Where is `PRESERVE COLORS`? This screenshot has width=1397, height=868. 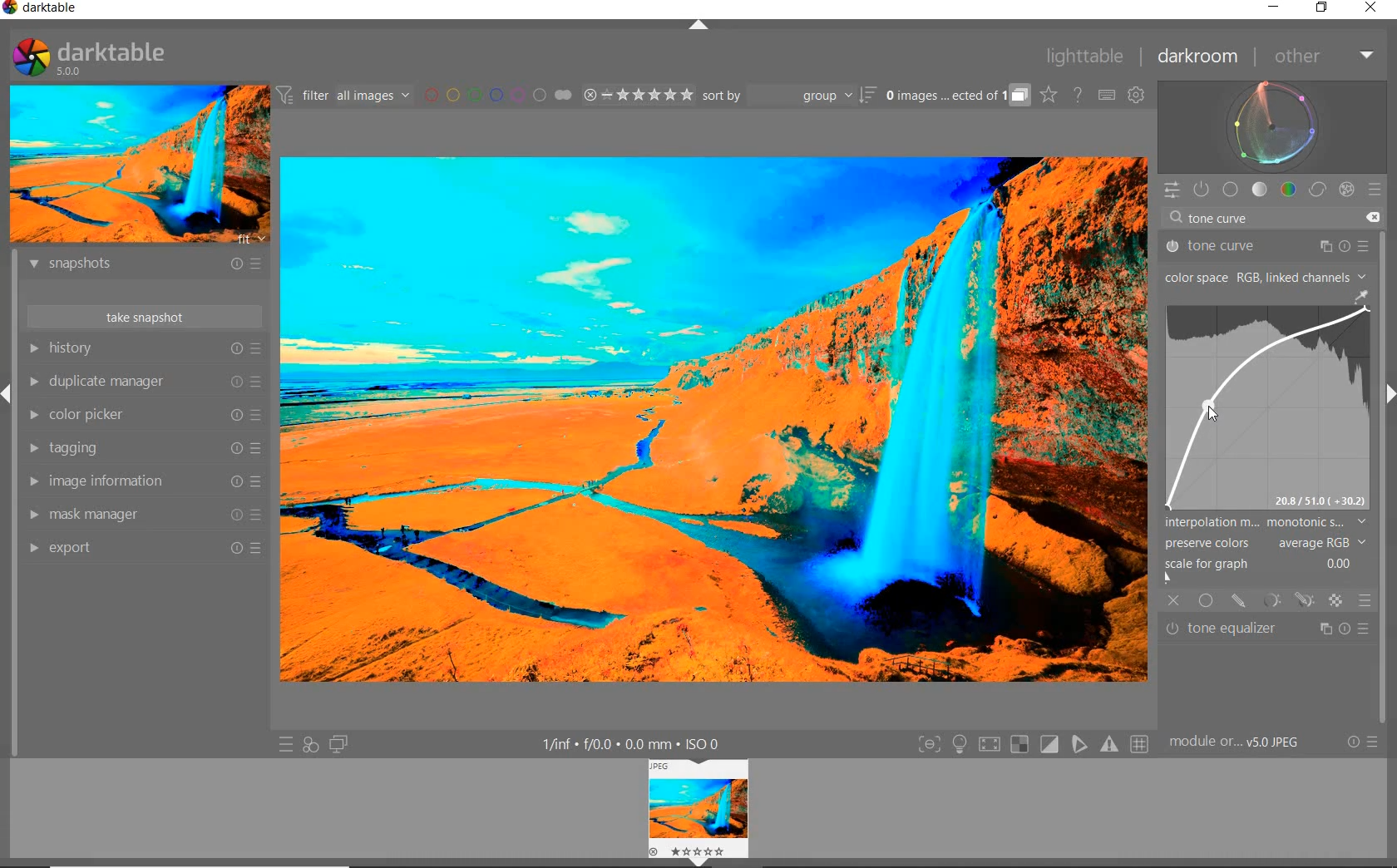 PRESERVE COLORS is located at coordinates (1269, 544).